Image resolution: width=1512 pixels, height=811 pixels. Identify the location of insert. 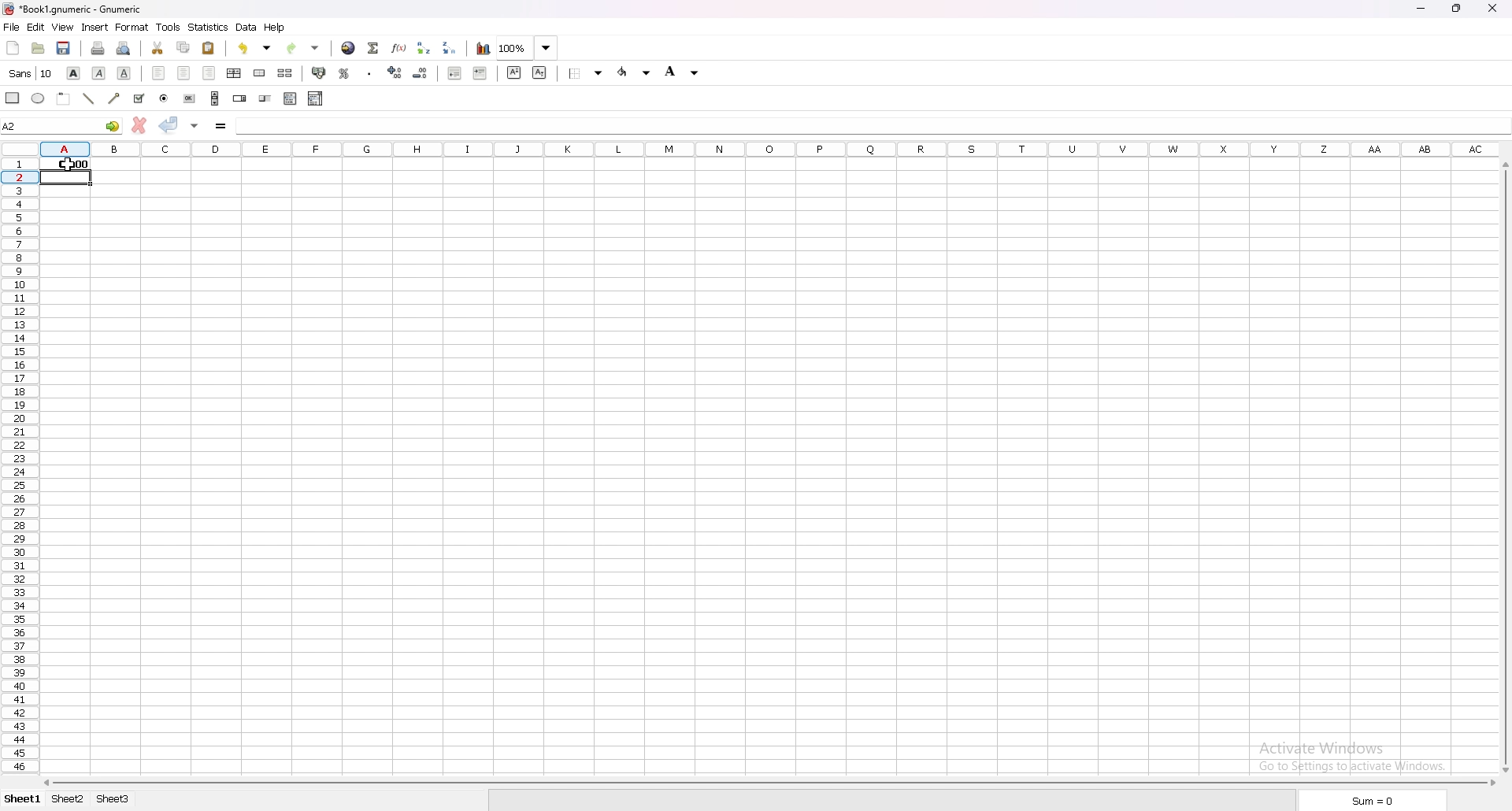
(96, 27).